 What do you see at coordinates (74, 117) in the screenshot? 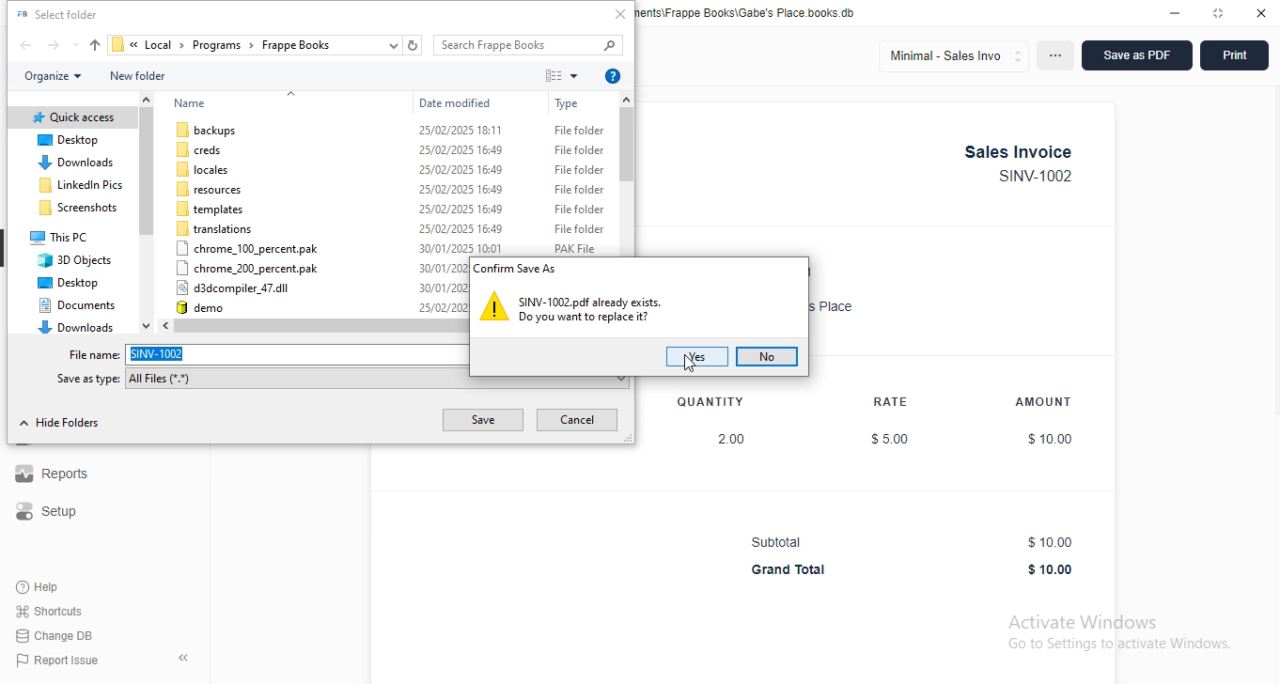
I see `quick access` at bounding box center [74, 117].